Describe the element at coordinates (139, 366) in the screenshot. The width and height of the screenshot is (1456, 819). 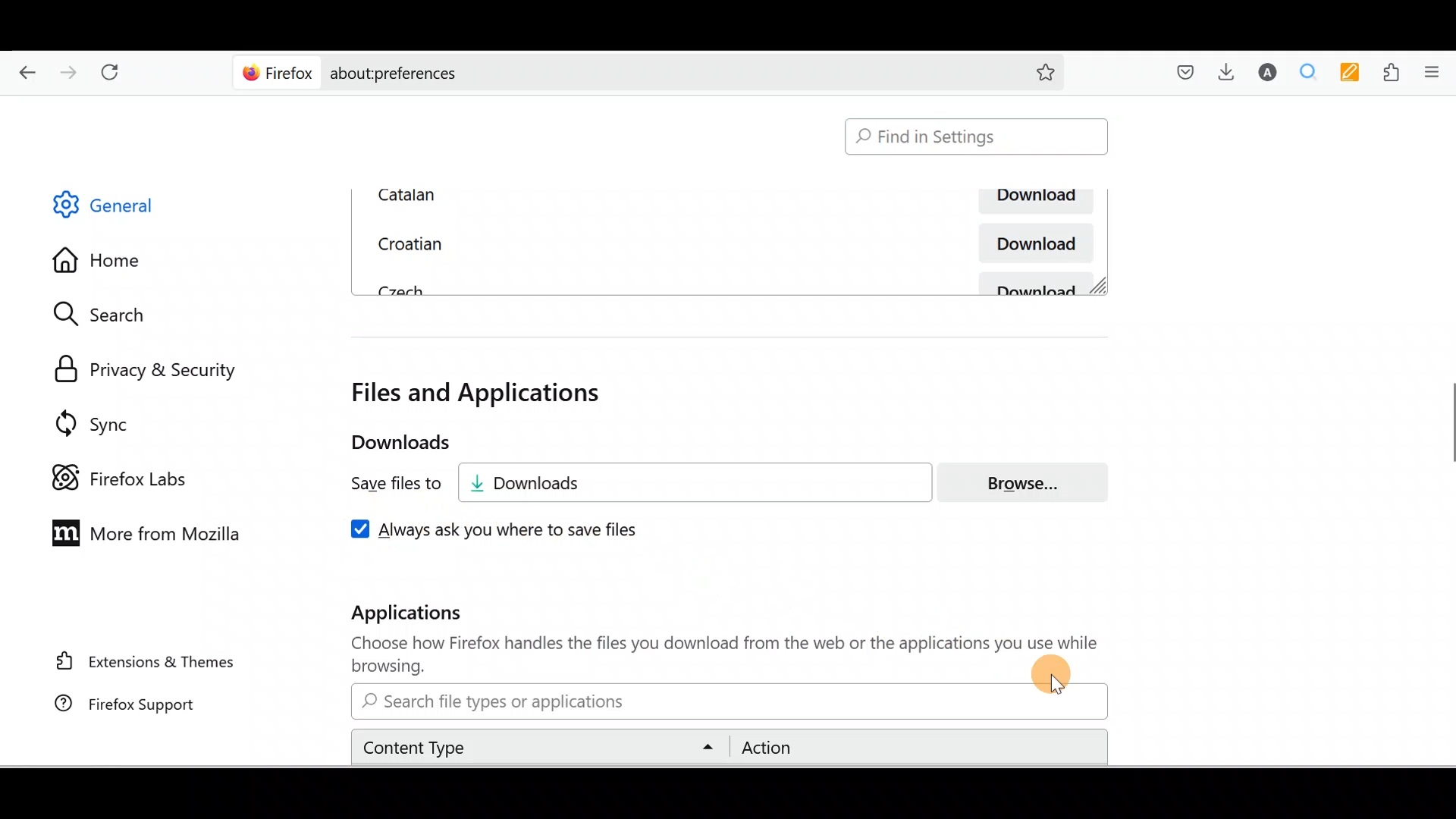
I see `Privacy and security settings` at that location.